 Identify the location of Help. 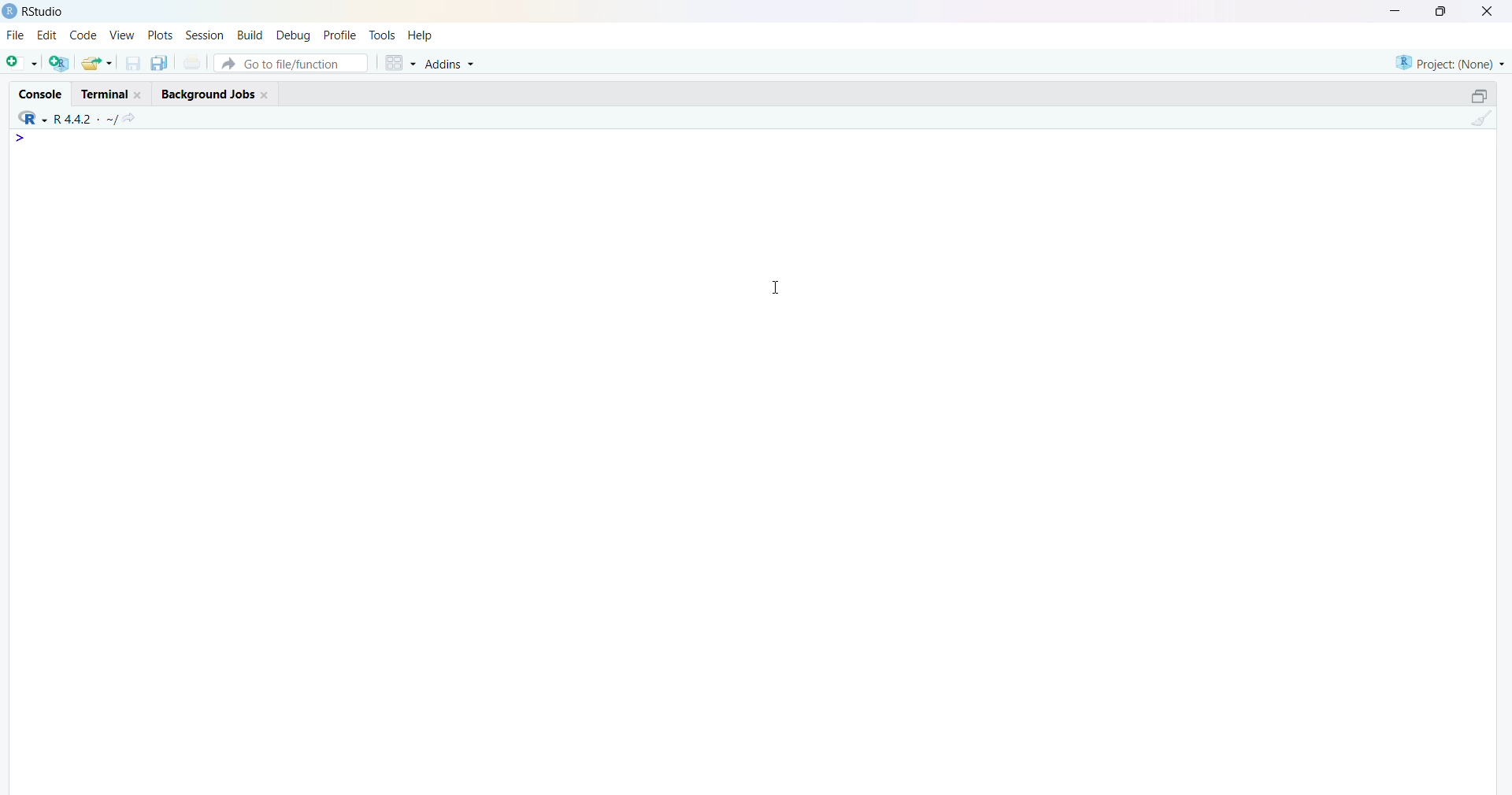
(421, 35).